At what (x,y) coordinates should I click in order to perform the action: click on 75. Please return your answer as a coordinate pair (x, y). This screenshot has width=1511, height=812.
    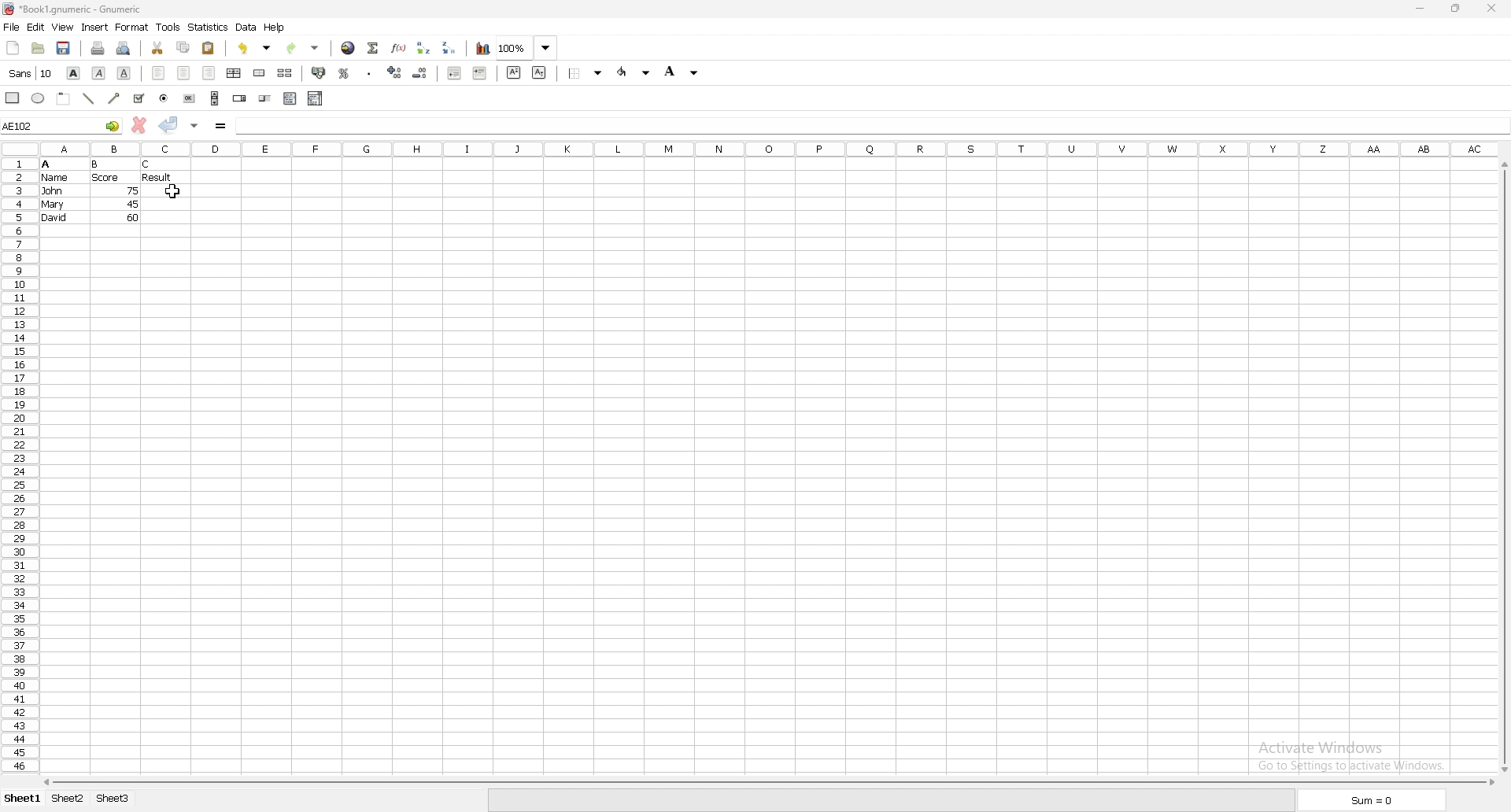
    Looking at the image, I should click on (134, 190).